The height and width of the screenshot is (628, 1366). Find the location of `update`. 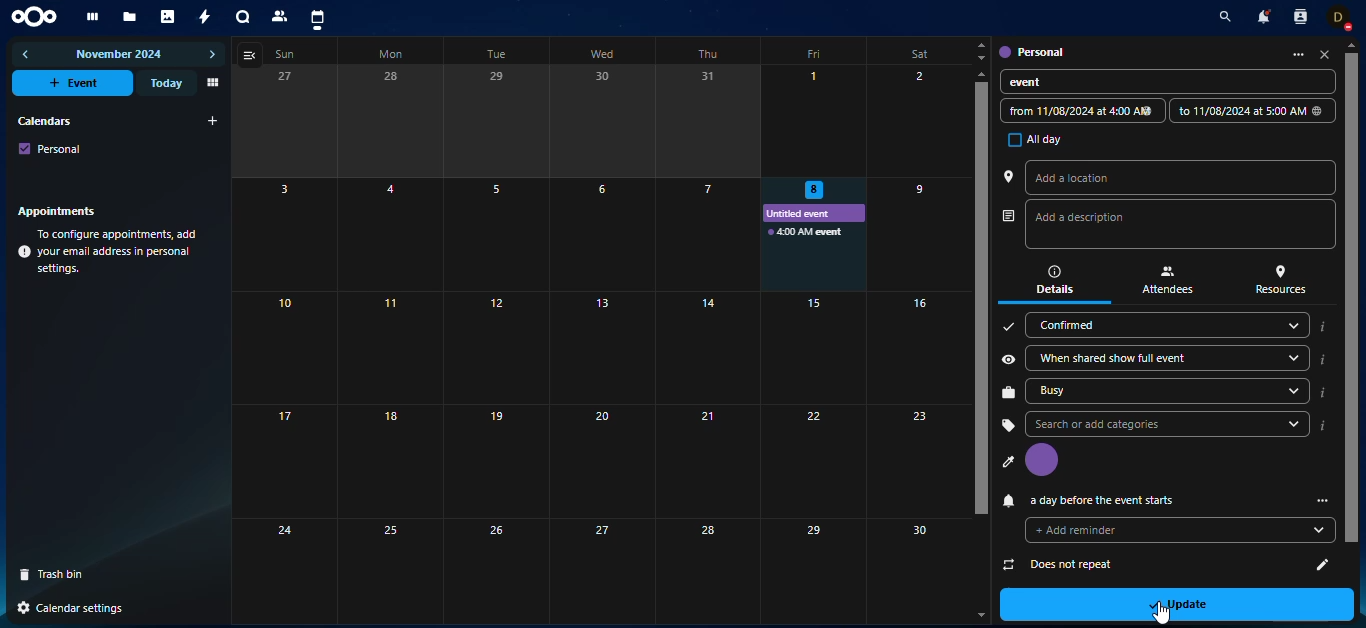

update is located at coordinates (1198, 604).